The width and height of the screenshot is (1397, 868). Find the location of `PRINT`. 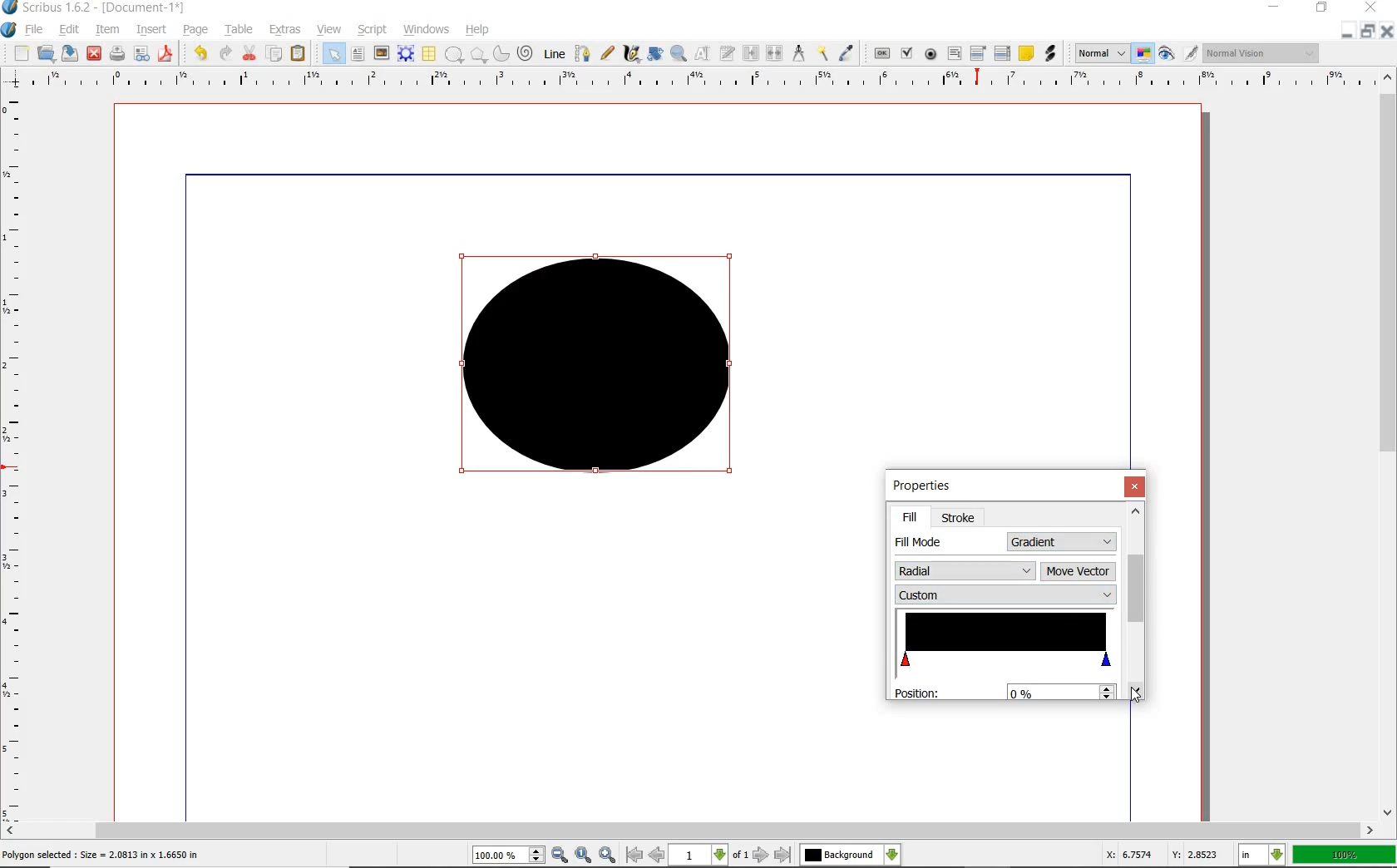

PRINT is located at coordinates (117, 55).